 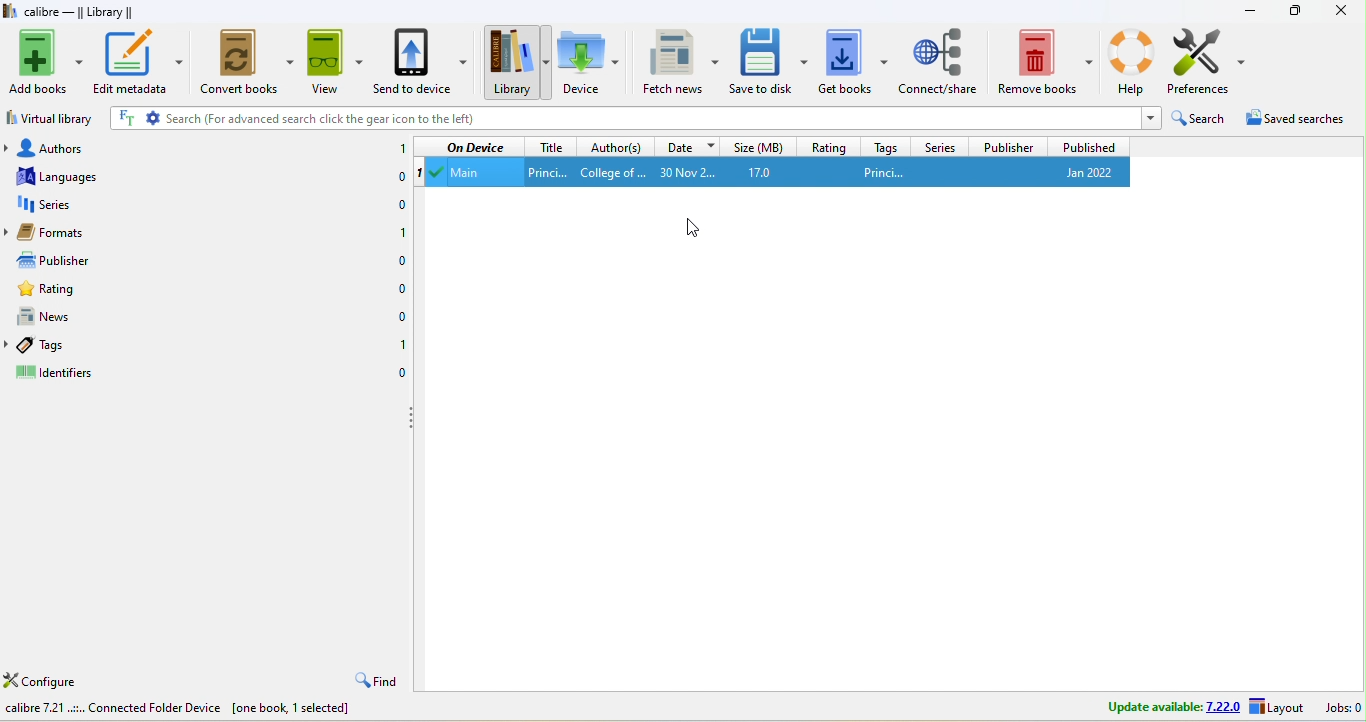 What do you see at coordinates (1295, 9) in the screenshot?
I see `resize` at bounding box center [1295, 9].